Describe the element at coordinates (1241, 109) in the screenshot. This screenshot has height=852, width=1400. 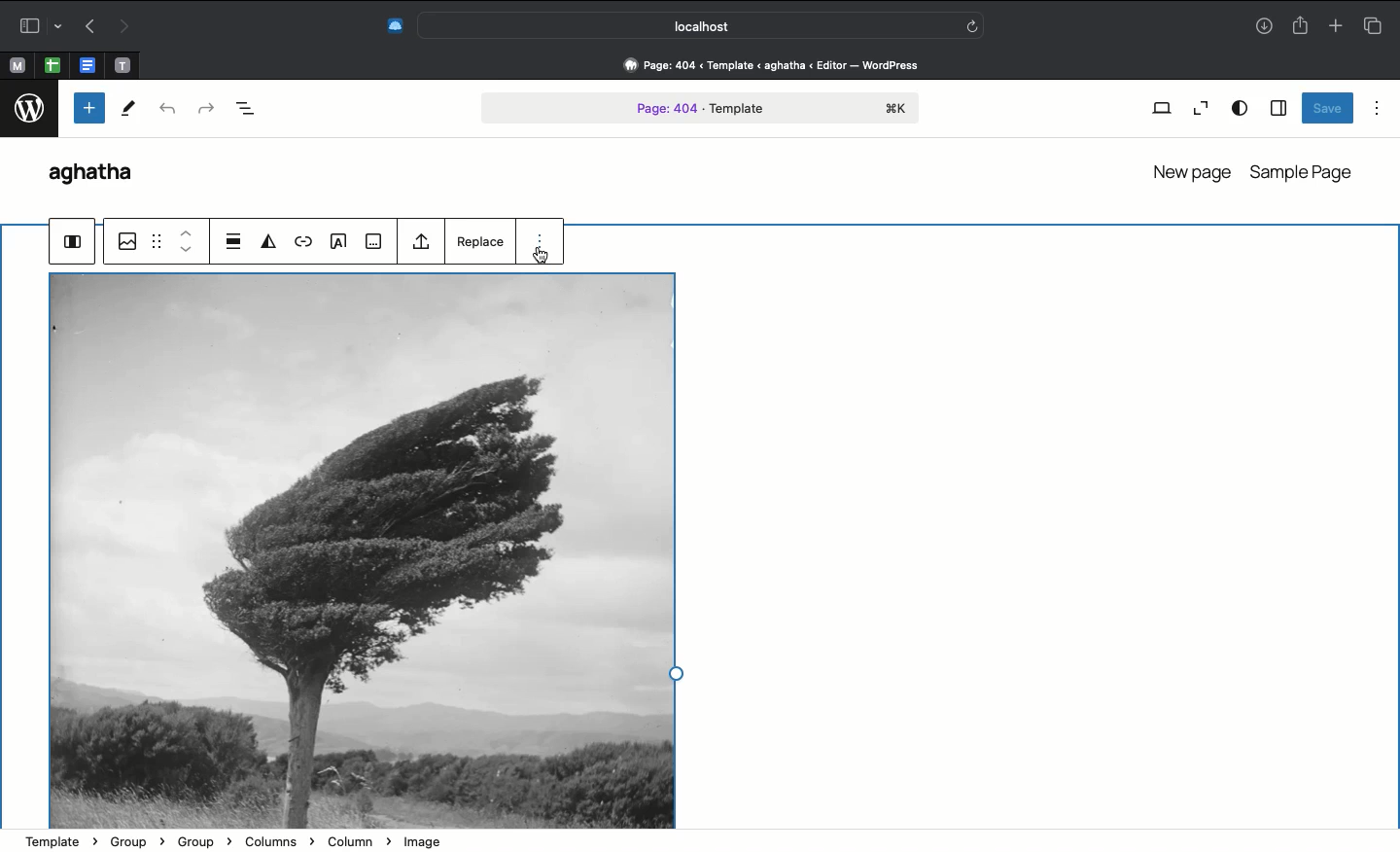
I see `View options` at that location.